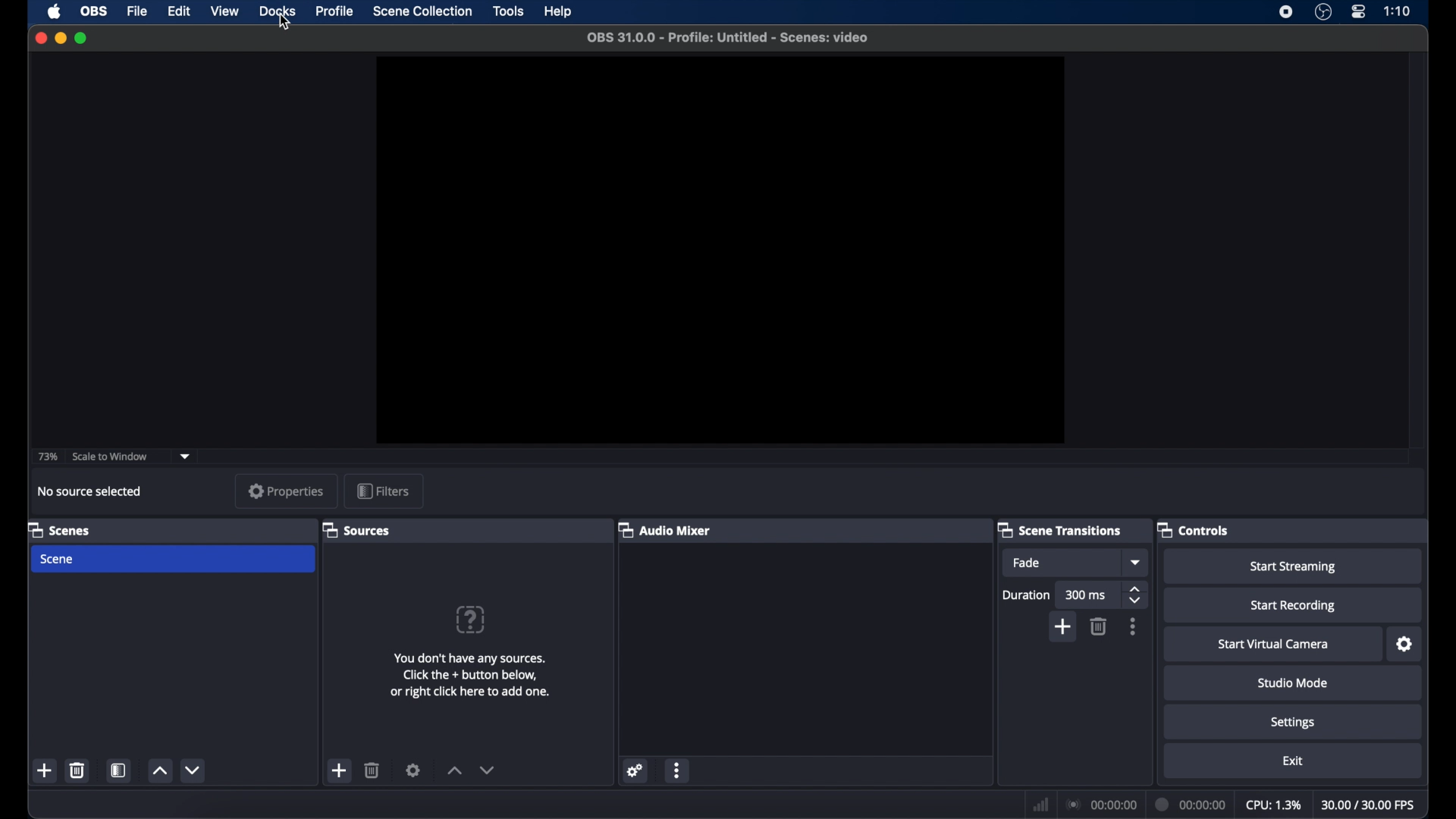  What do you see at coordinates (92, 11) in the screenshot?
I see `obs` at bounding box center [92, 11].